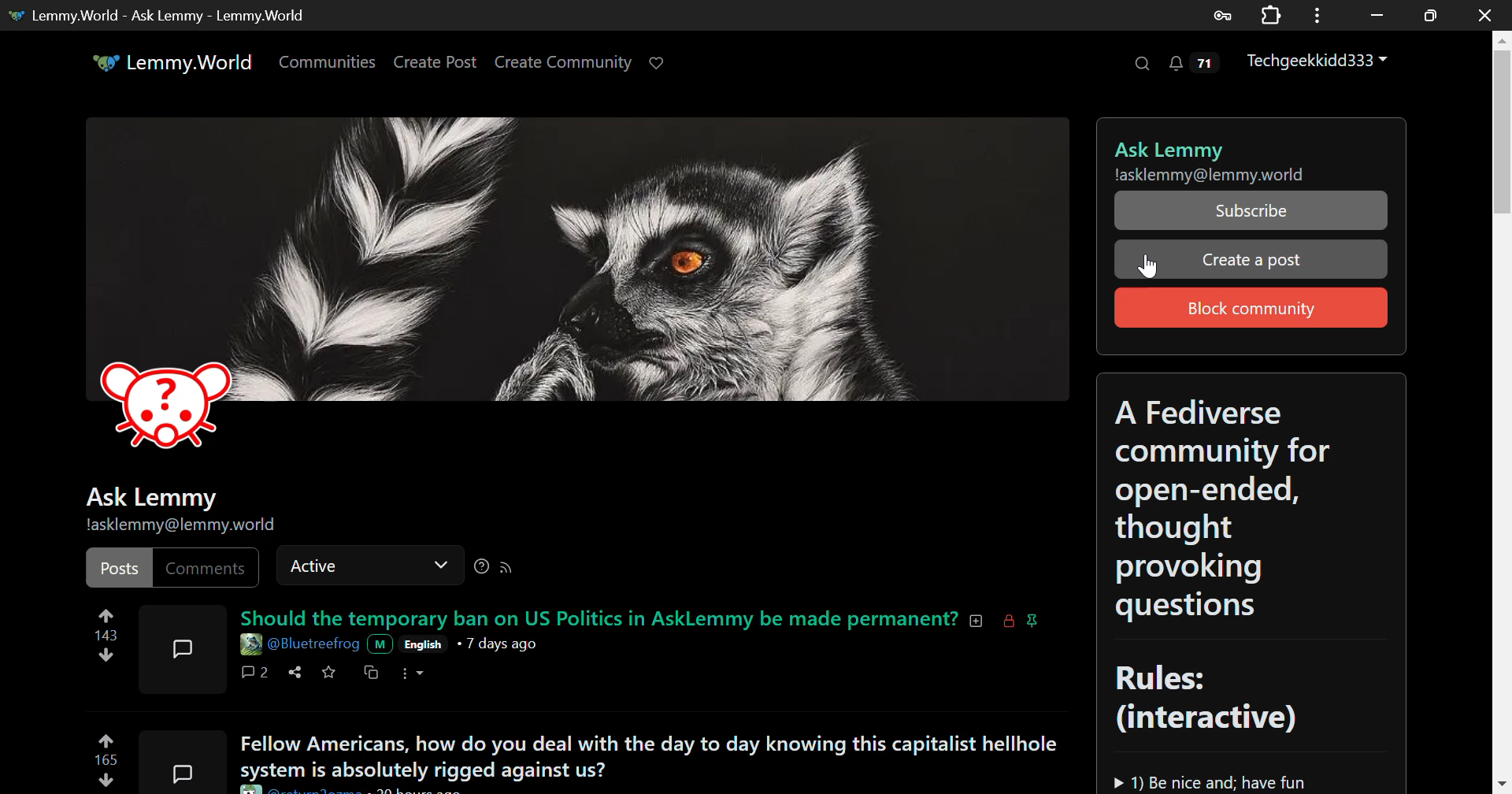  I want to click on Cursor Position, so click(1148, 265).